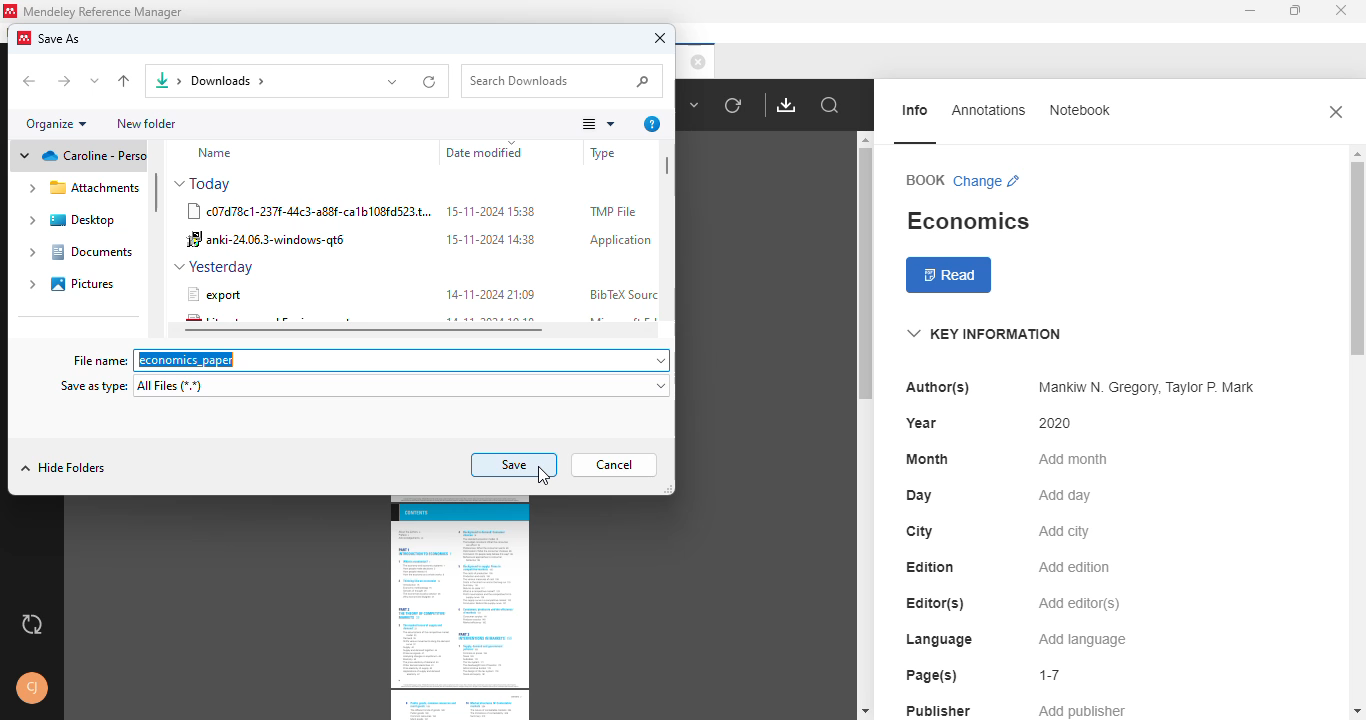  Describe the element at coordinates (489, 239) in the screenshot. I see `15-11-2024` at that location.